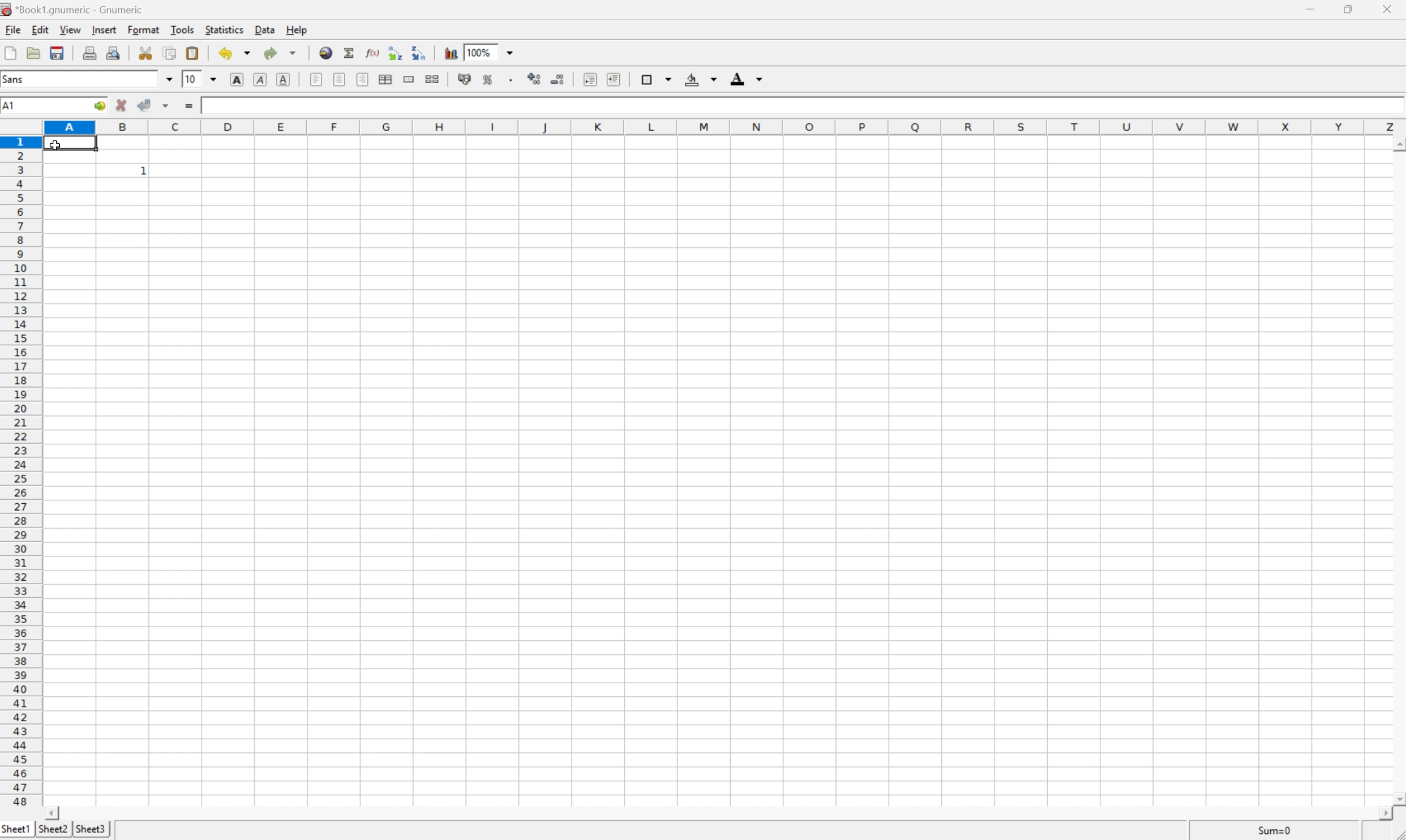 Image resolution: width=1406 pixels, height=840 pixels. What do you see at coordinates (172, 50) in the screenshot?
I see `copy` at bounding box center [172, 50].